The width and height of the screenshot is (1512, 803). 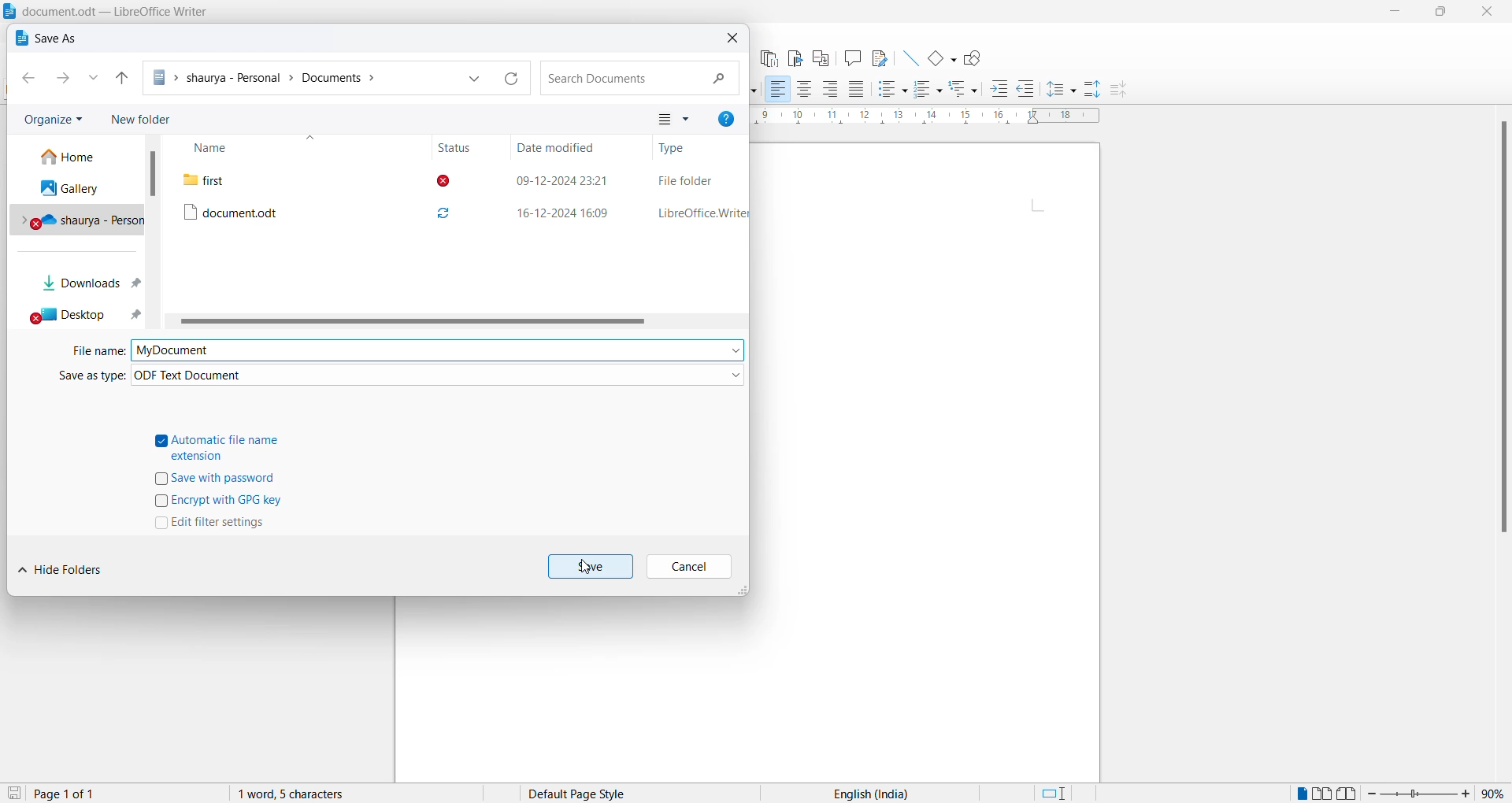 What do you see at coordinates (1093, 88) in the screenshot?
I see `Increase paragraph space` at bounding box center [1093, 88].